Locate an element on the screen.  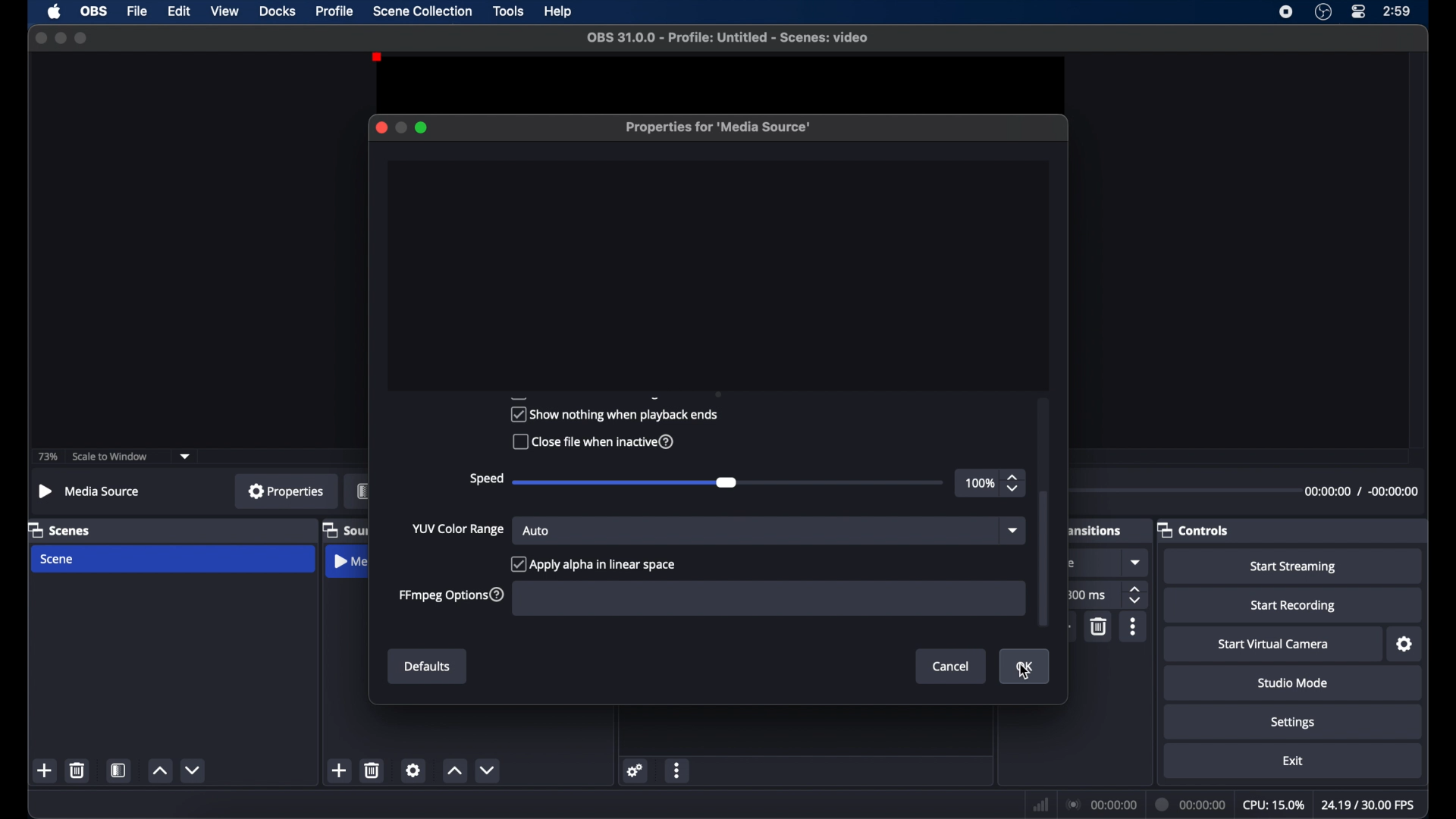
fps is located at coordinates (1369, 805).